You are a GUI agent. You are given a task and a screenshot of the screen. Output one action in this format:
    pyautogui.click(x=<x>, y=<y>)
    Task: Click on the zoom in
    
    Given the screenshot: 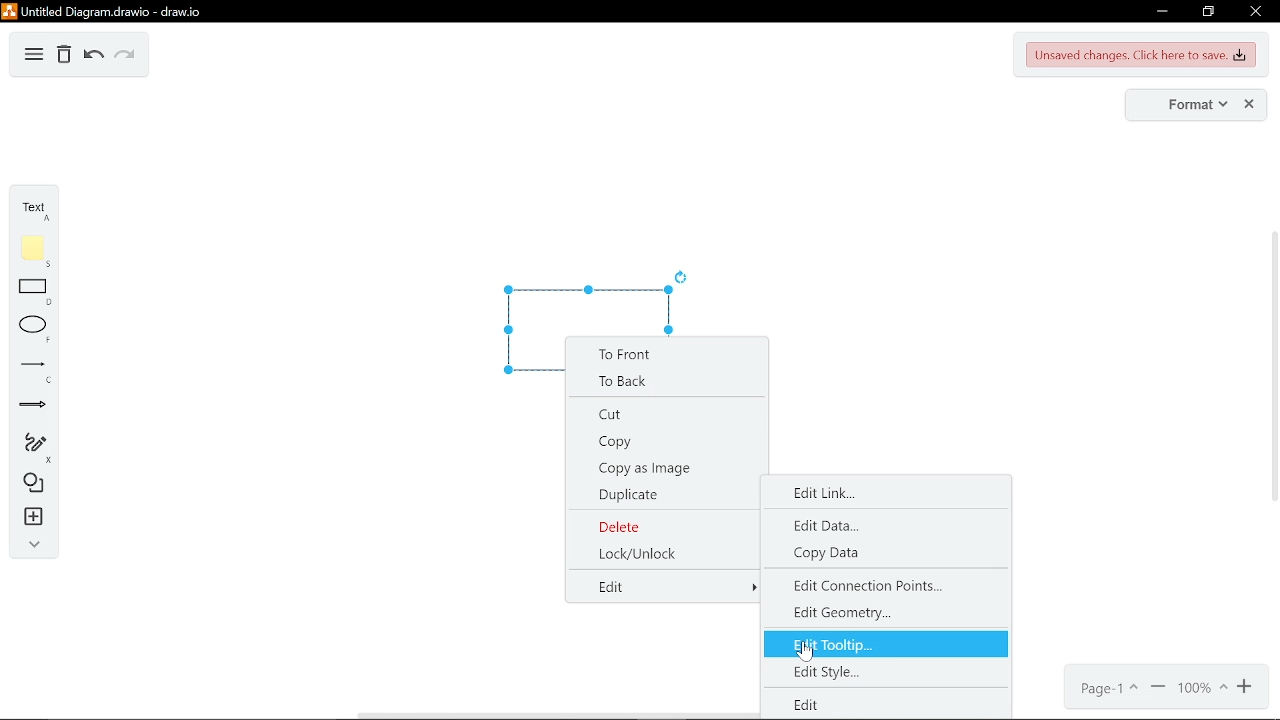 What is the action you would take?
    pyautogui.click(x=1247, y=687)
    